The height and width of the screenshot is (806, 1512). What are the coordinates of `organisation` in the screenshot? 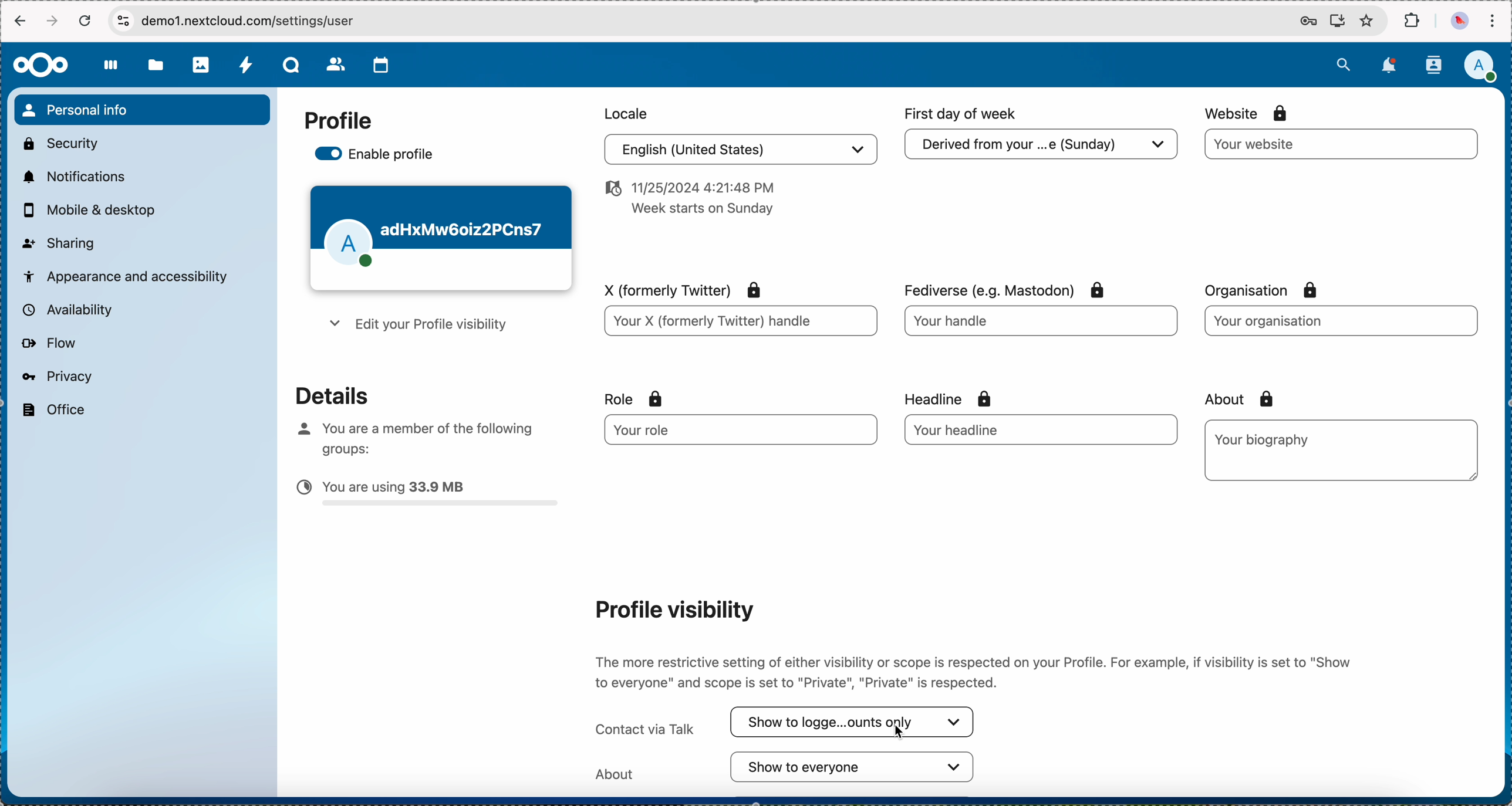 It's located at (1269, 290).